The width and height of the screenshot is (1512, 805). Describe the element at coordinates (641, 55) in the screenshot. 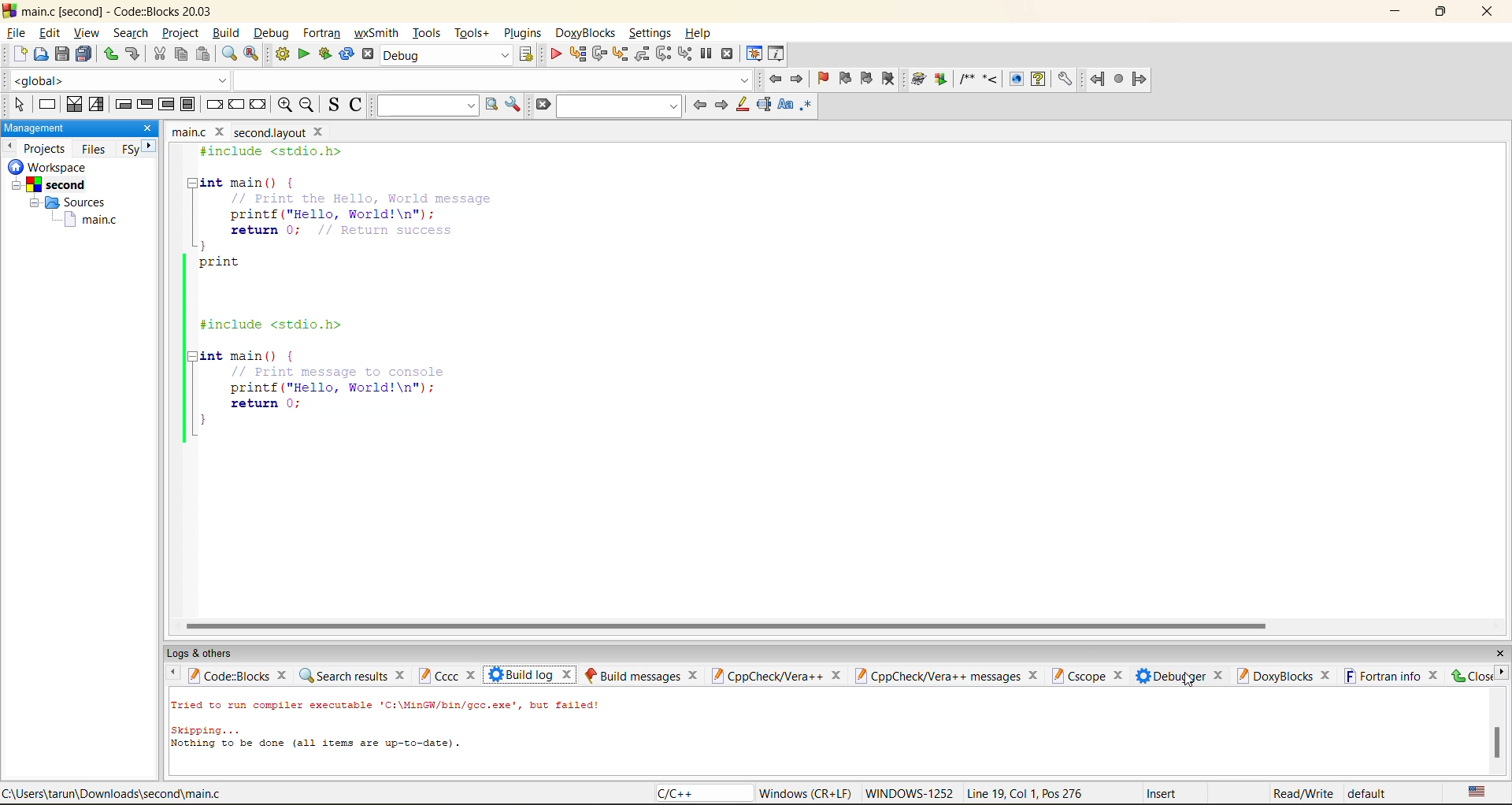

I see `step out` at that location.